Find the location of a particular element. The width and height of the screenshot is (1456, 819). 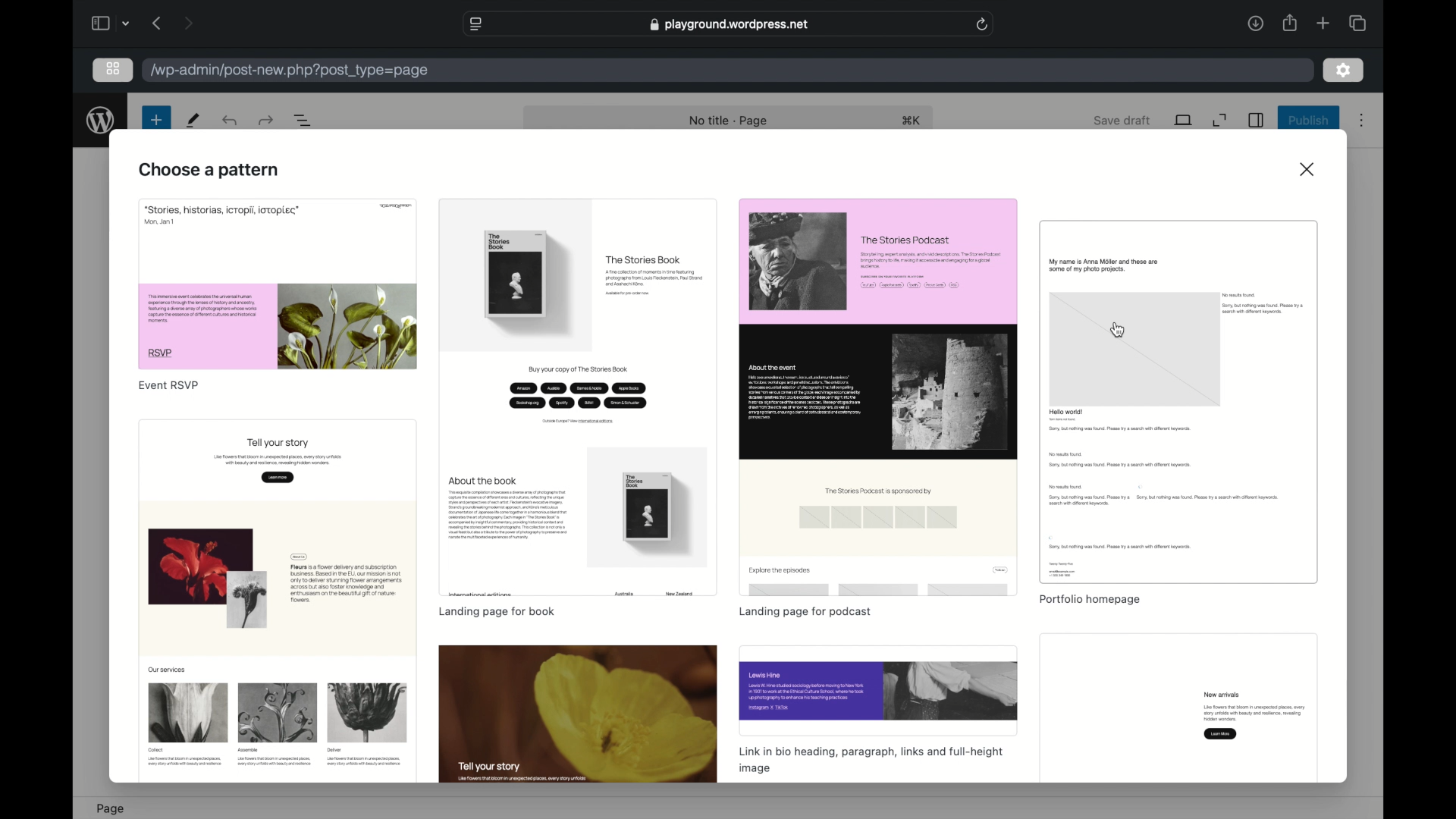

new is located at coordinates (155, 120).